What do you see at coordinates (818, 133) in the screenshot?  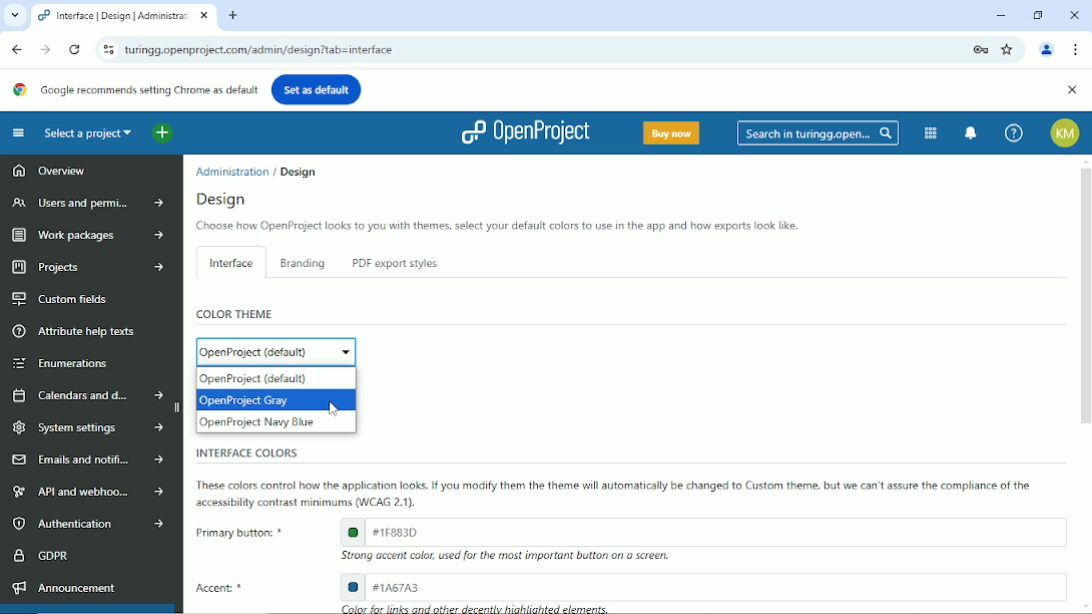 I see ` Search in turingg.open...` at bounding box center [818, 133].